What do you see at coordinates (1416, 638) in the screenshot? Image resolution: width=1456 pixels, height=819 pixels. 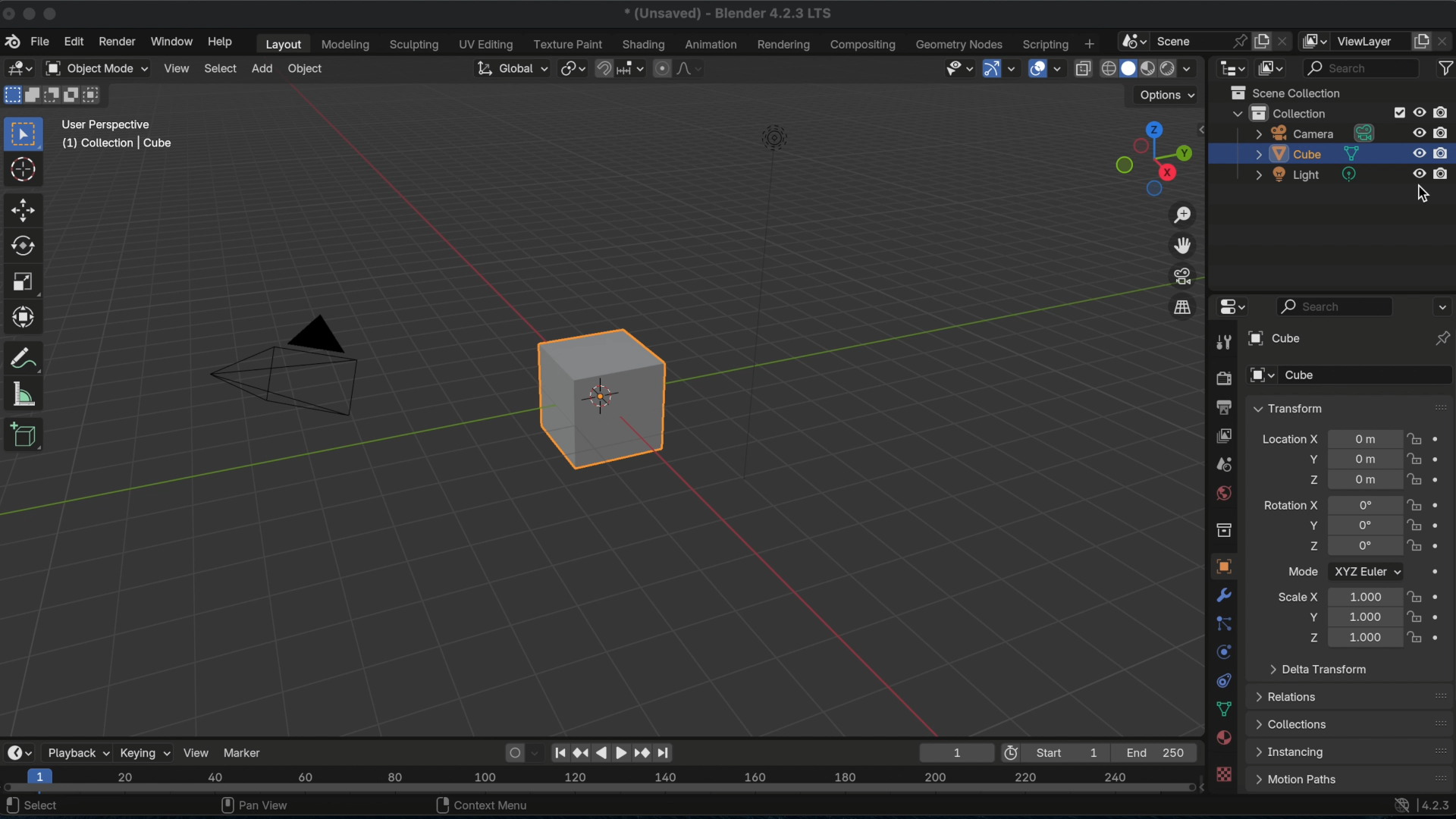 I see `lock scale` at bounding box center [1416, 638].